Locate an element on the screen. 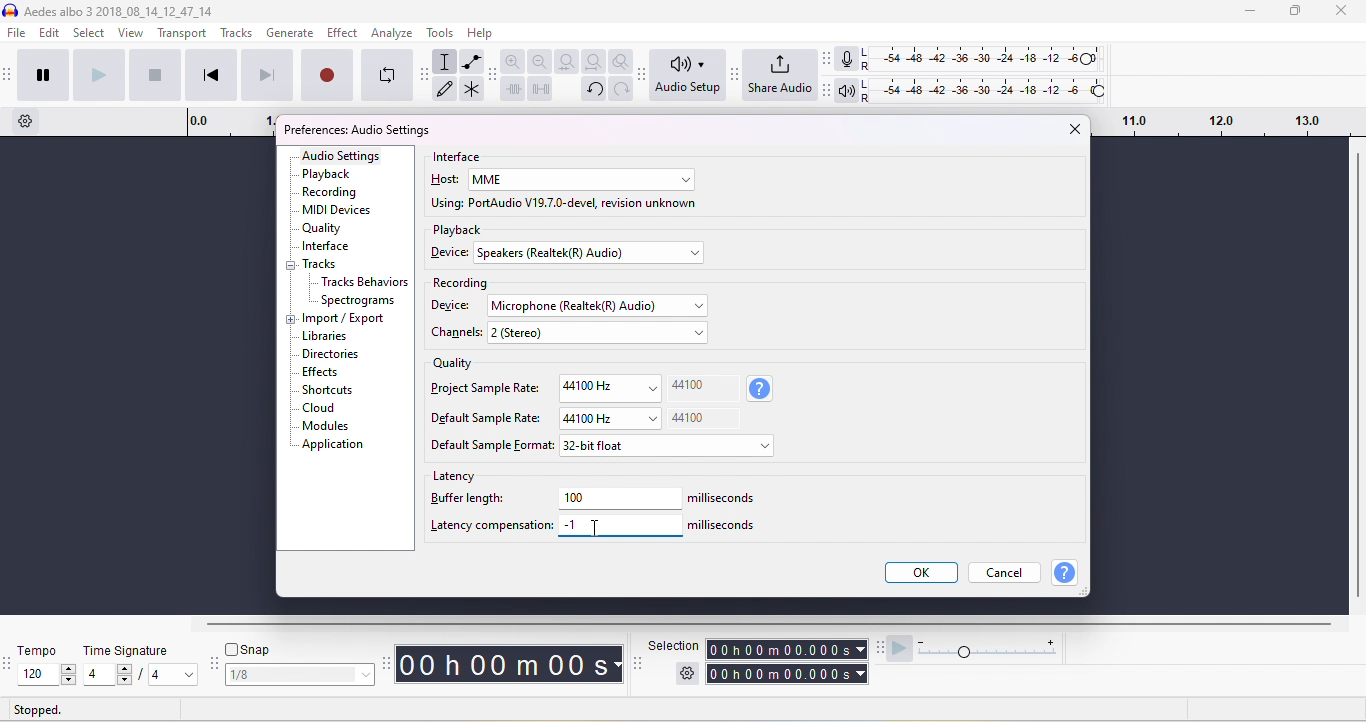 The height and width of the screenshot is (722, 1366). R is located at coordinates (869, 98).